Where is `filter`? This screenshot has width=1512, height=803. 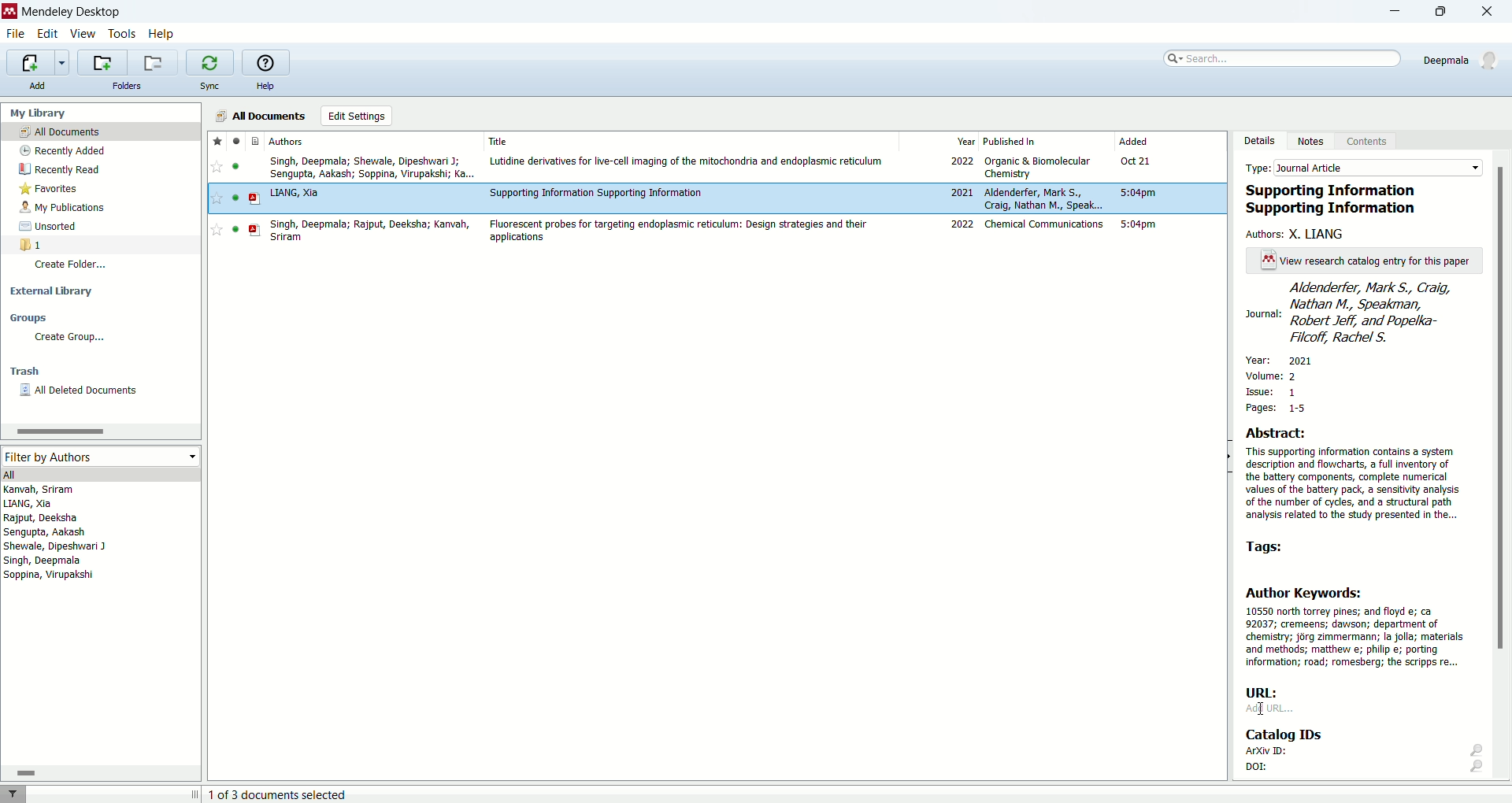
filter is located at coordinates (13, 794).